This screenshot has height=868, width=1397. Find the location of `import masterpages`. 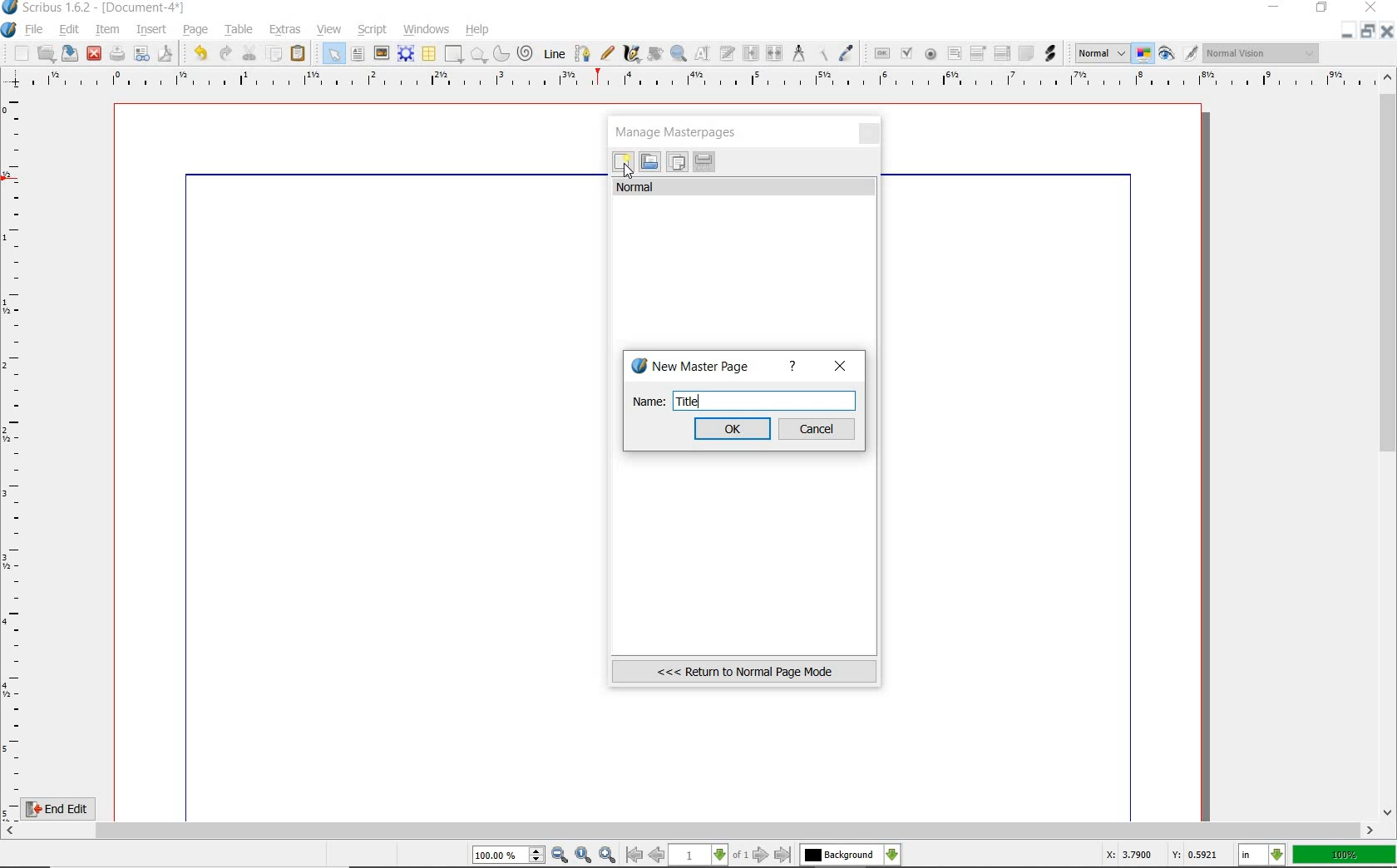

import masterpages is located at coordinates (649, 162).